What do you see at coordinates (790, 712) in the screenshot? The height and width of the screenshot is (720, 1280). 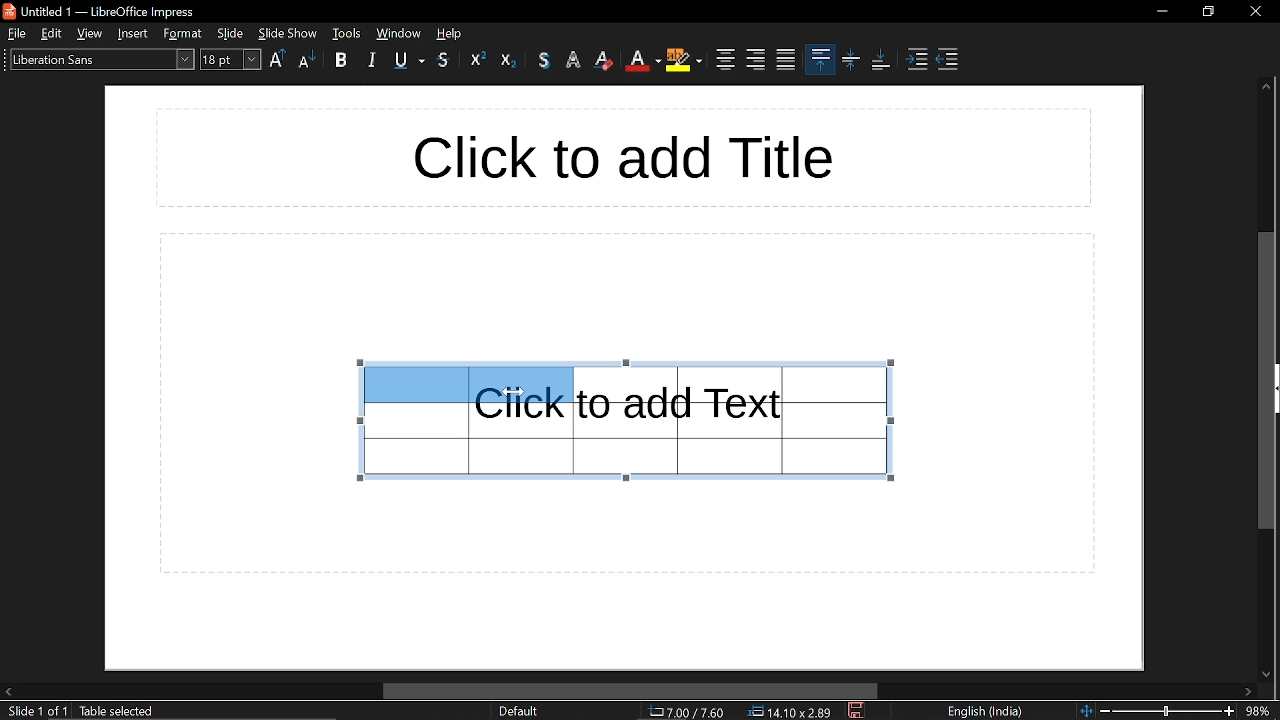 I see `dimension` at bounding box center [790, 712].